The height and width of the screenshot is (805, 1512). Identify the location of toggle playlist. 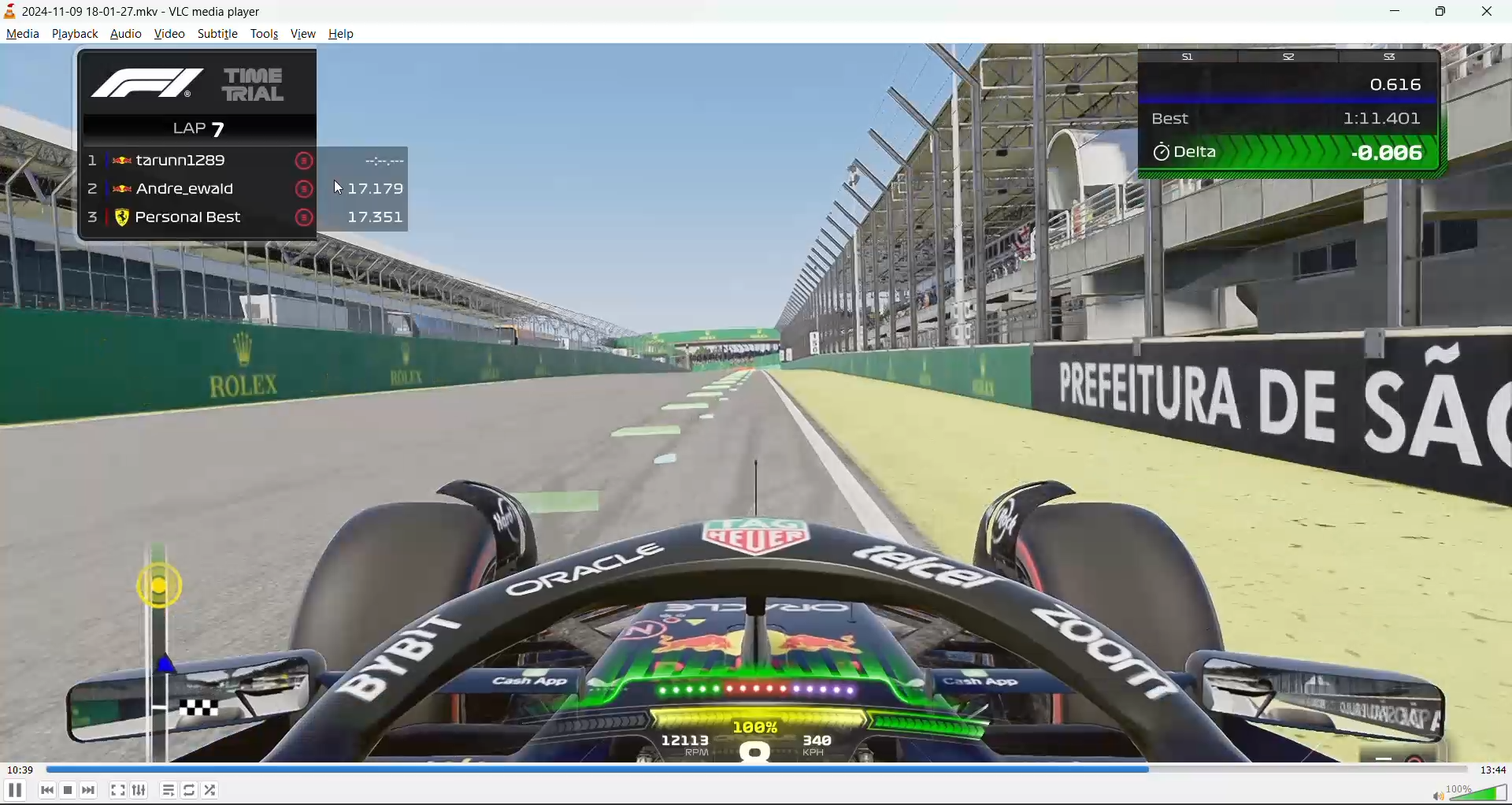
(168, 792).